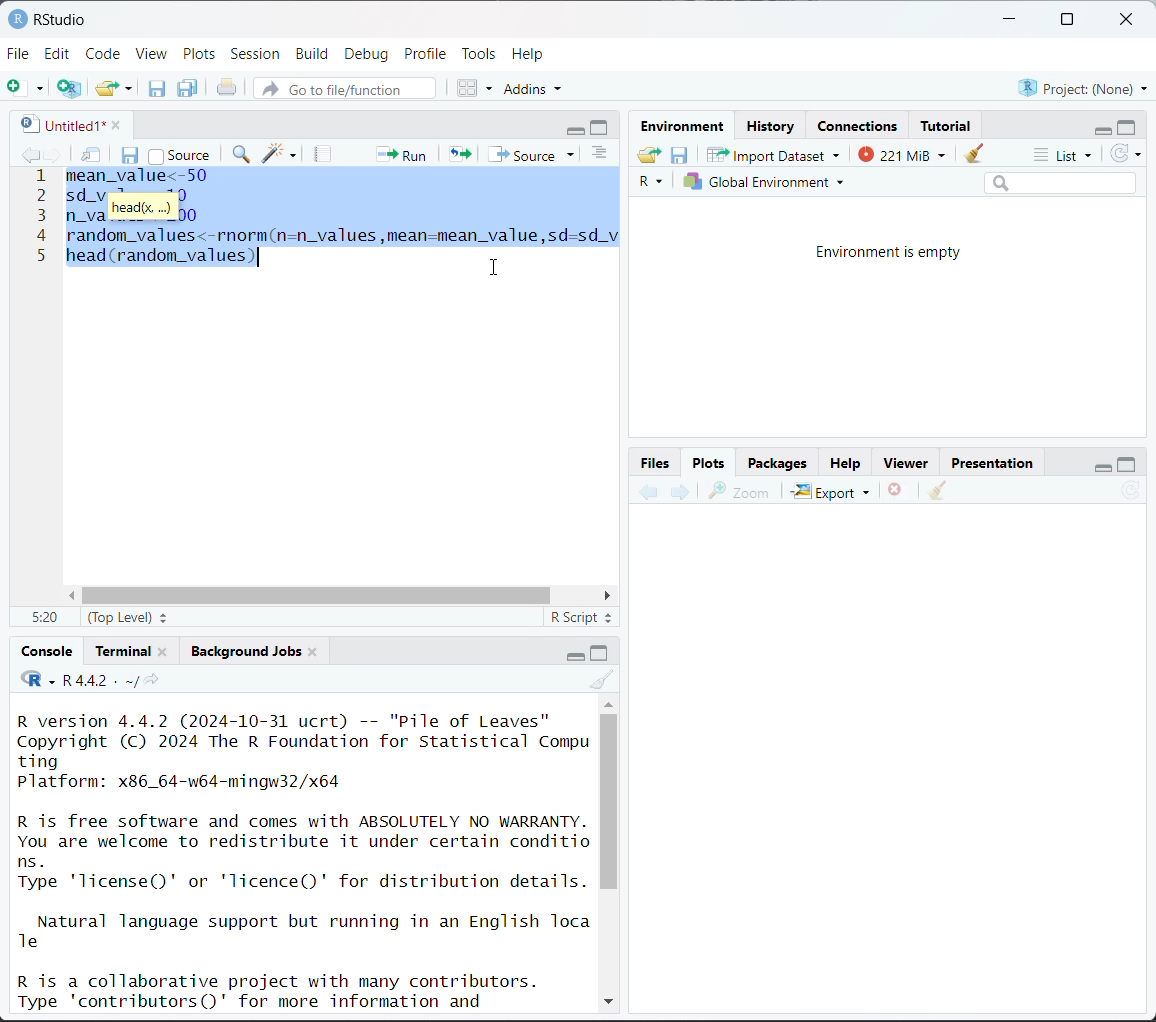  What do you see at coordinates (1099, 128) in the screenshot?
I see `minimize` at bounding box center [1099, 128].